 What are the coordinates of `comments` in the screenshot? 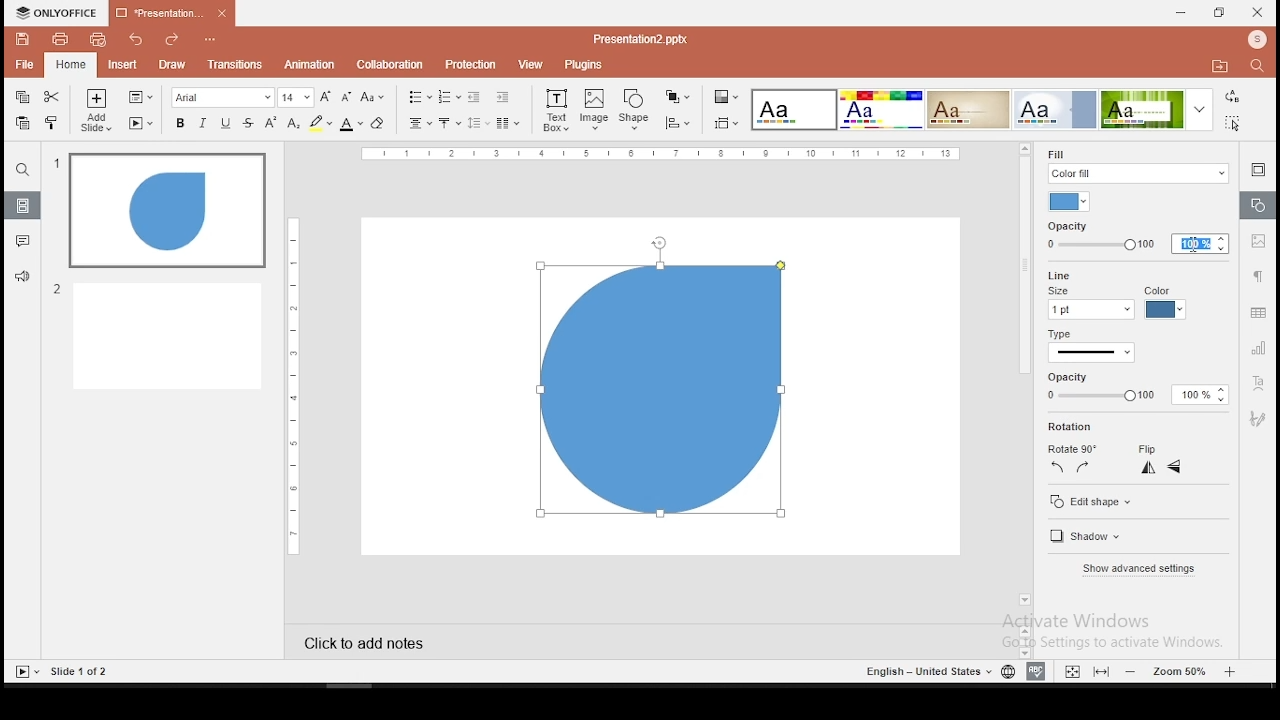 It's located at (20, 242).